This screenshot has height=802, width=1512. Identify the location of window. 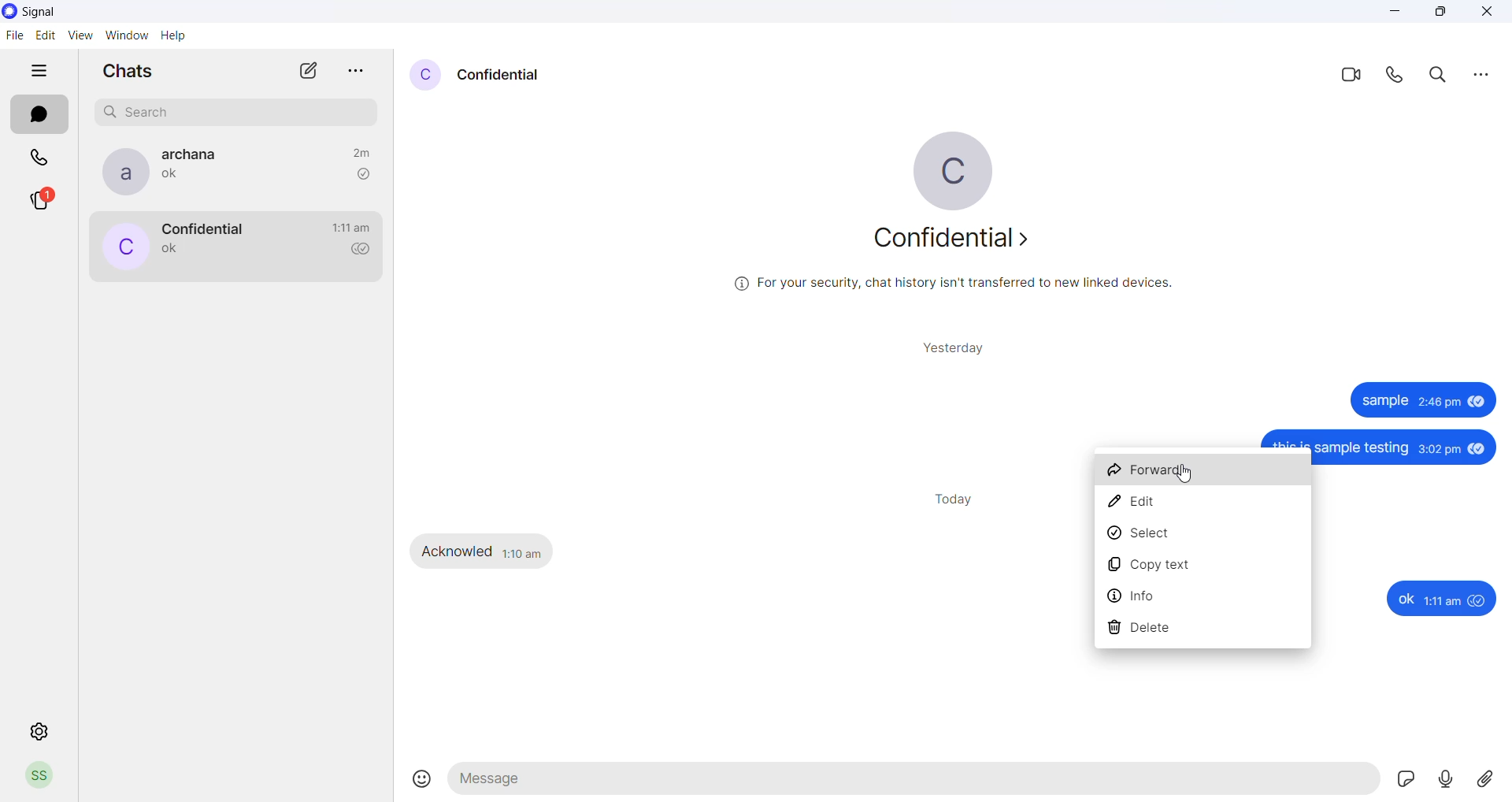
(130, 35).